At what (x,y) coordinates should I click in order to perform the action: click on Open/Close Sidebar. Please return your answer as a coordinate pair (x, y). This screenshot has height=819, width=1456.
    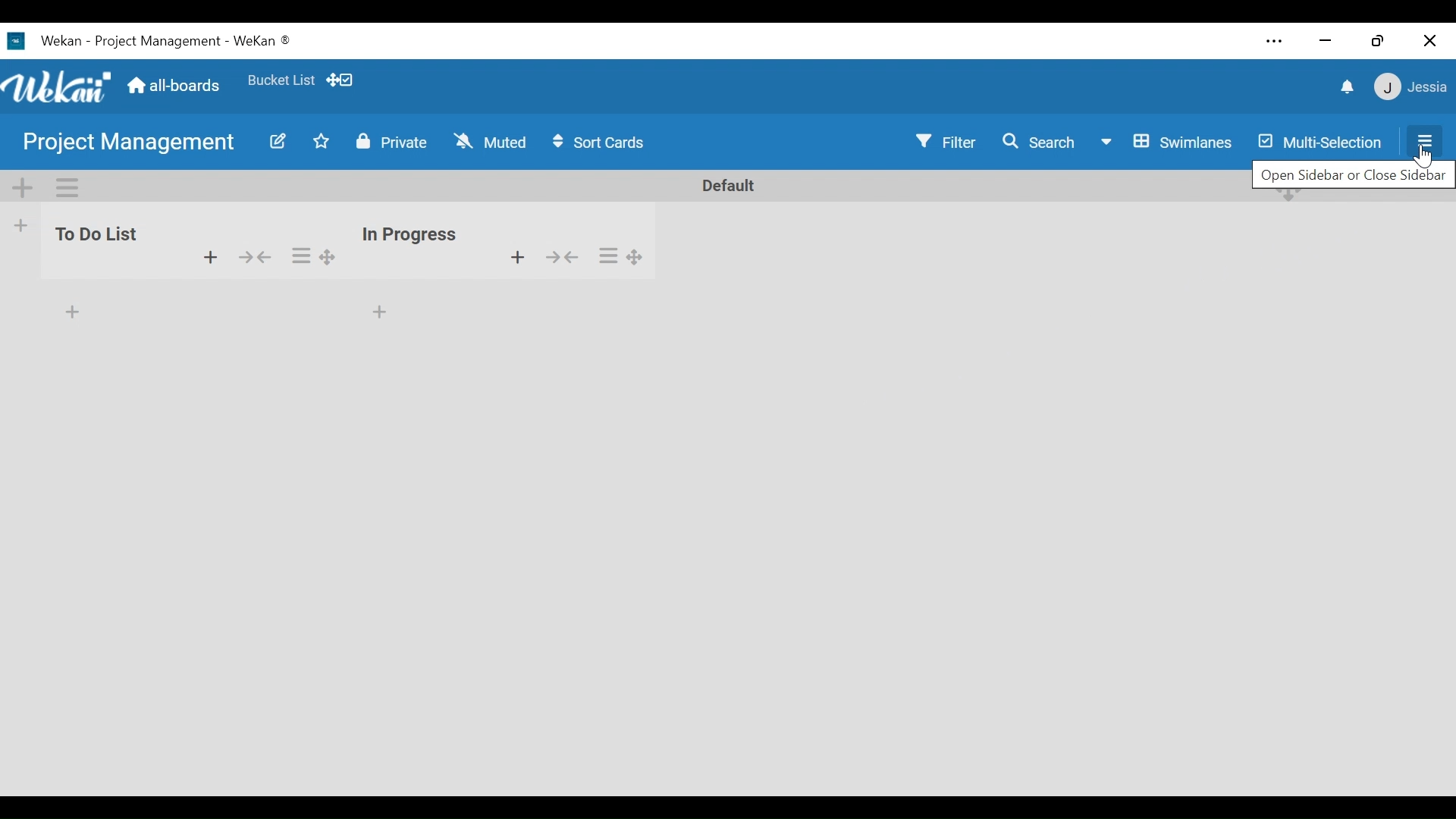
    Looking at the image, I should click on (1420, 140).